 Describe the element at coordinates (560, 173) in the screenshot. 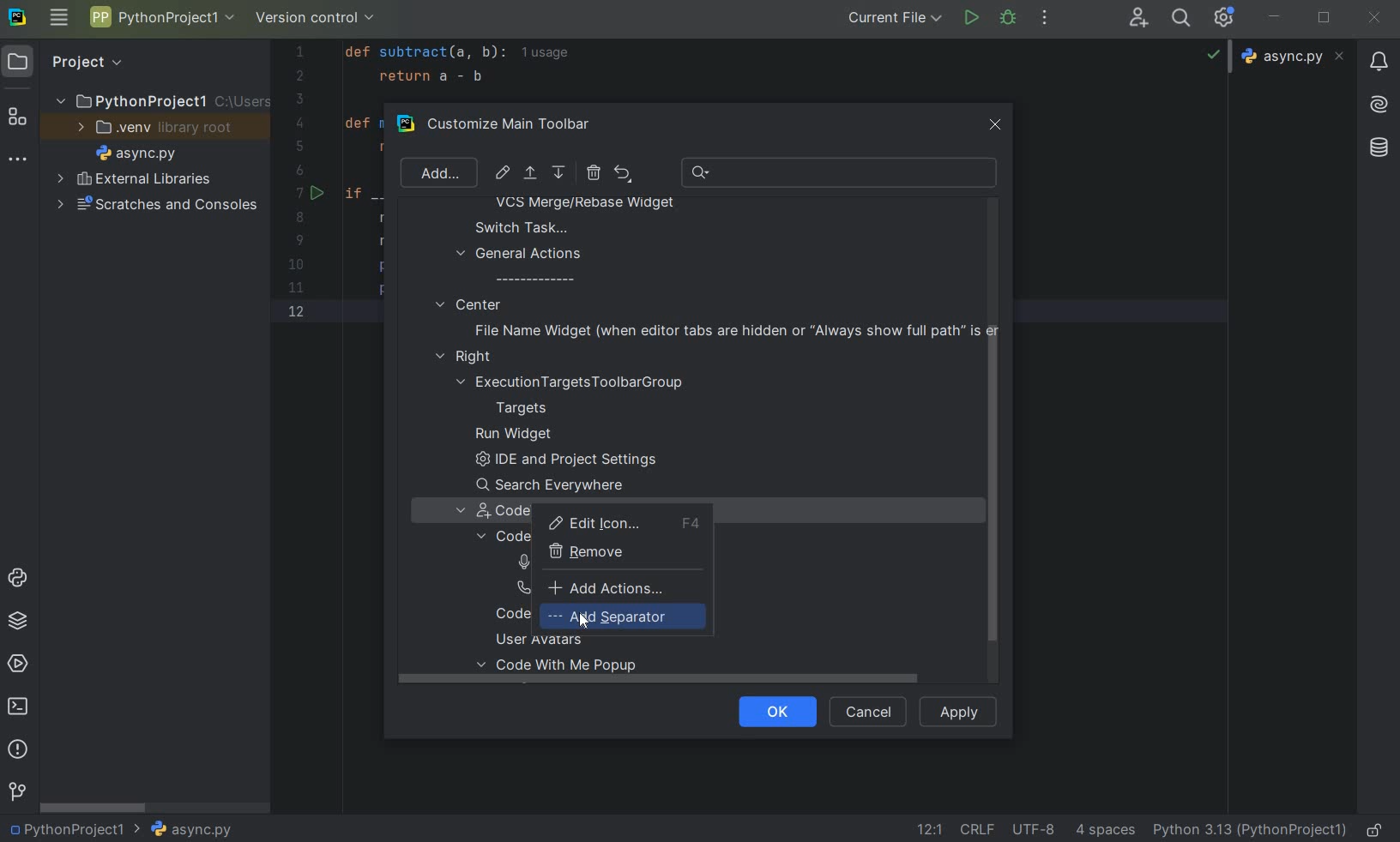

I see `MOVE DOWN` at that location.